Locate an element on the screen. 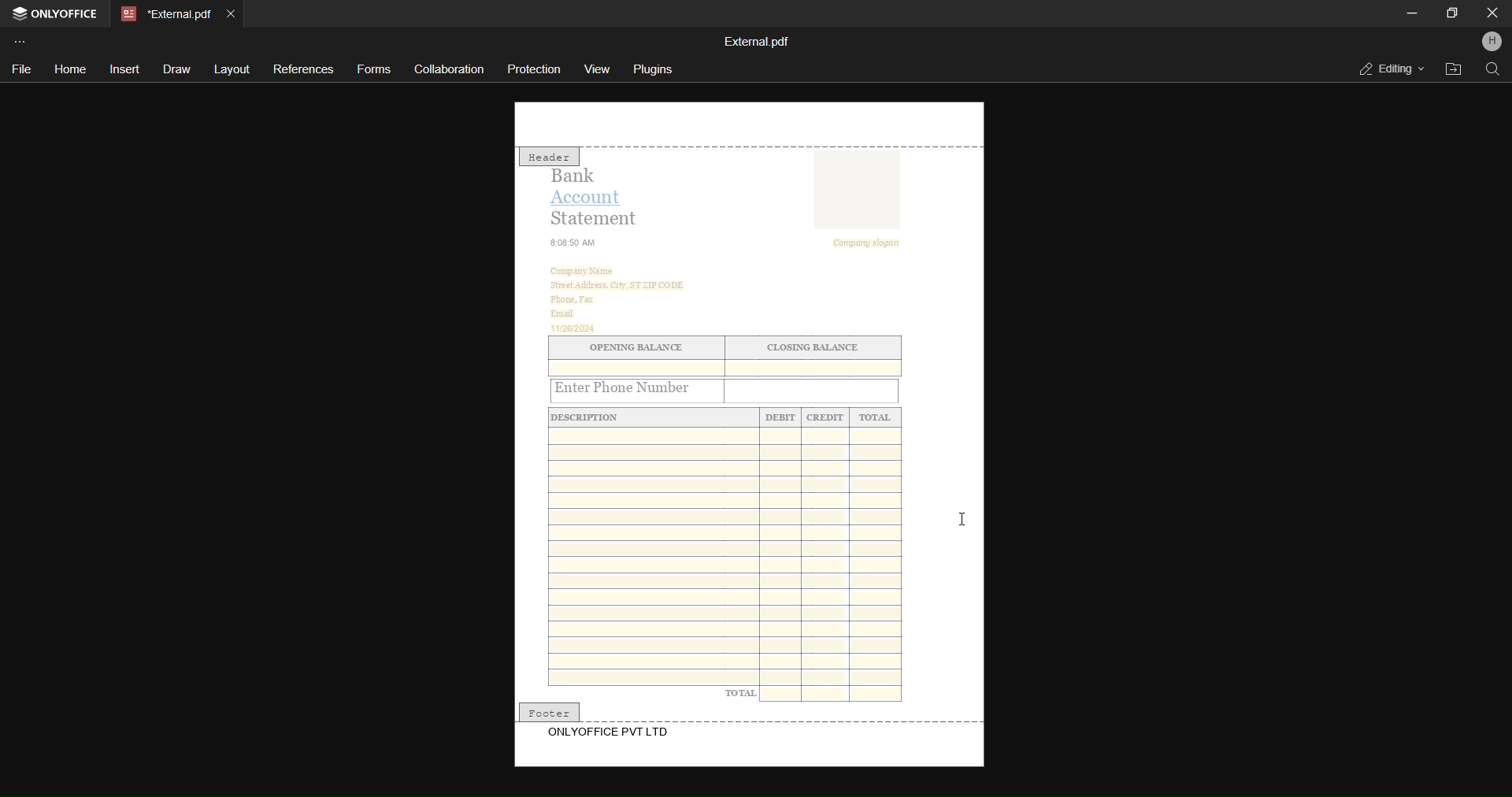  profile is located at coordinates (1492, 43).